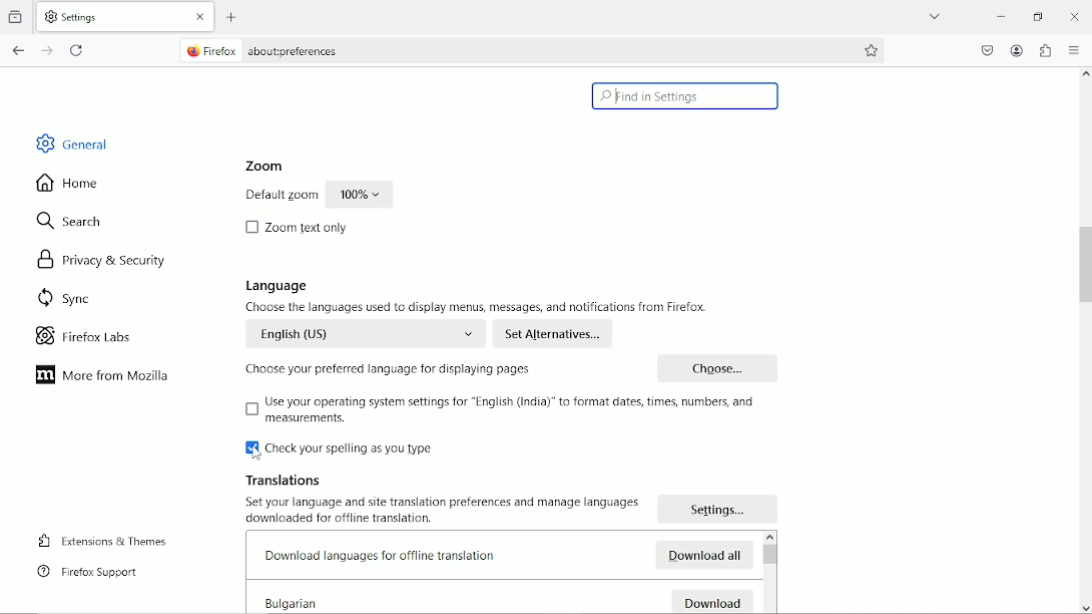  What do you see at coordinates (1001, 17) in the screenshot?
I see `minimize` at bounding box center [1001, 17].